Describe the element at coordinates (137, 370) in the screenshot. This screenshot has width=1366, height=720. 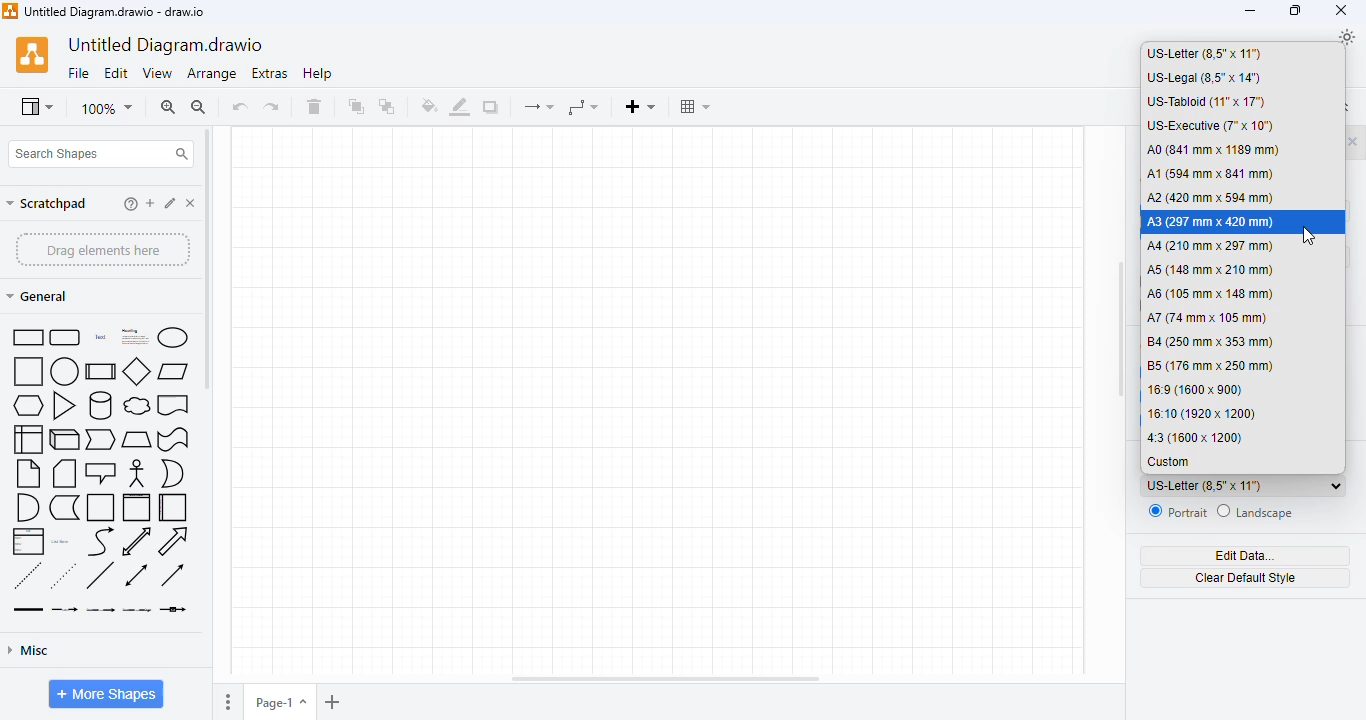
I see `diamond` at that location.